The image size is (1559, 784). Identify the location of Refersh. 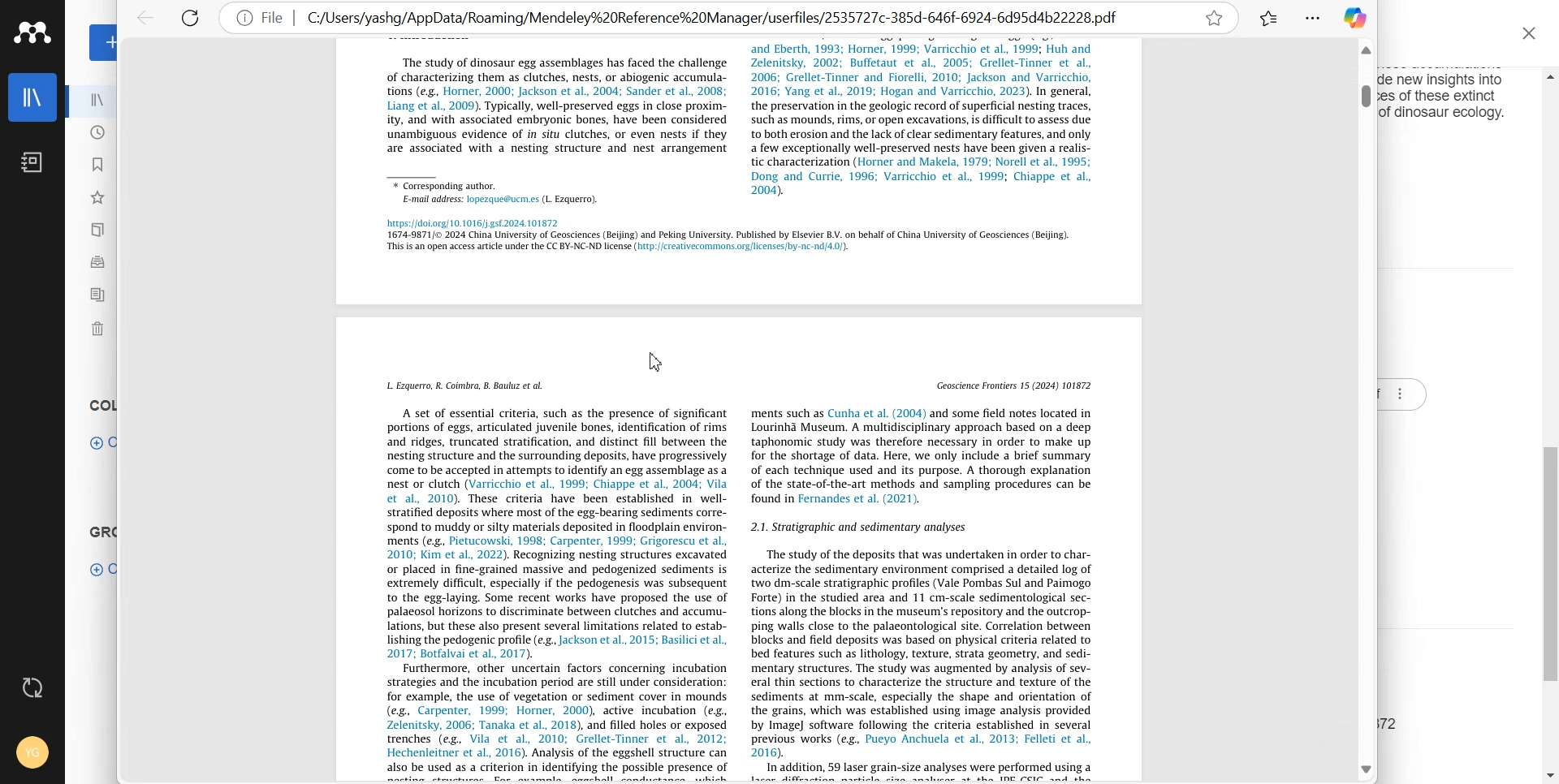
(191, 19).